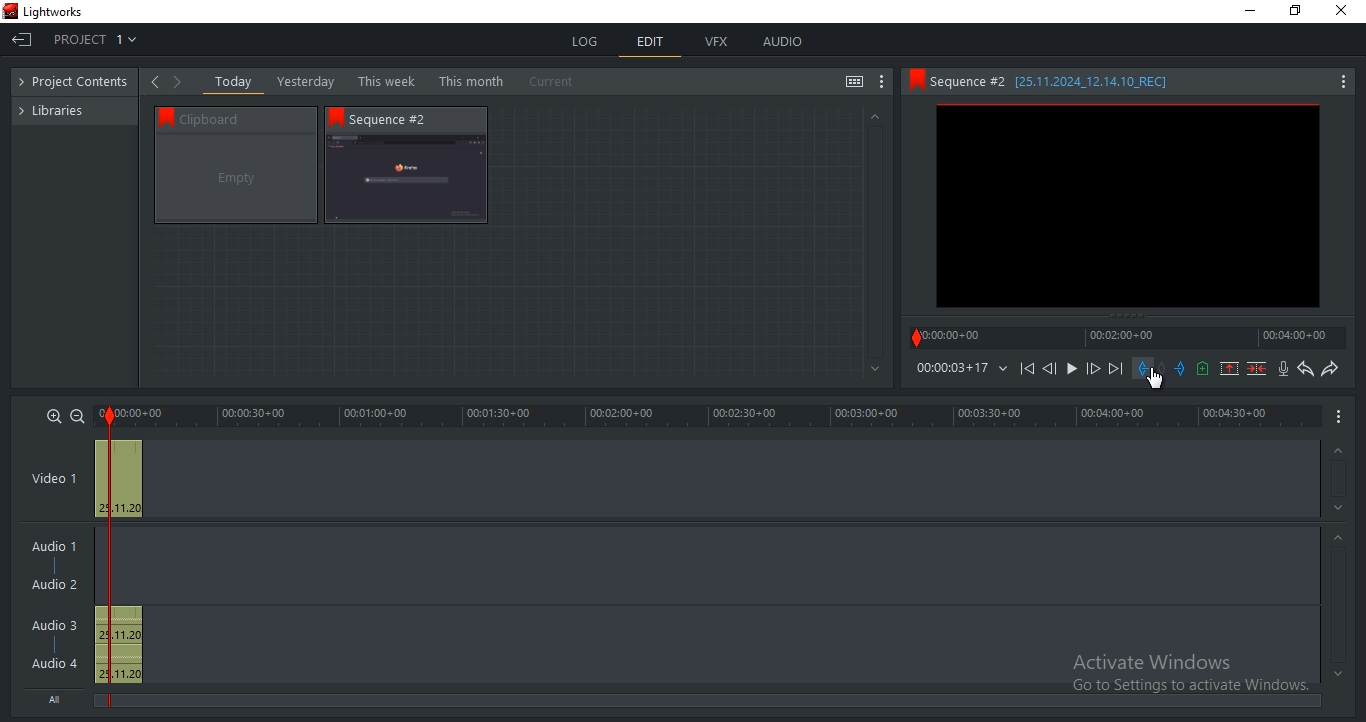  Describe the element at coordinates (399, 119) in the screenshot. I see `Sequence #2` at that location.